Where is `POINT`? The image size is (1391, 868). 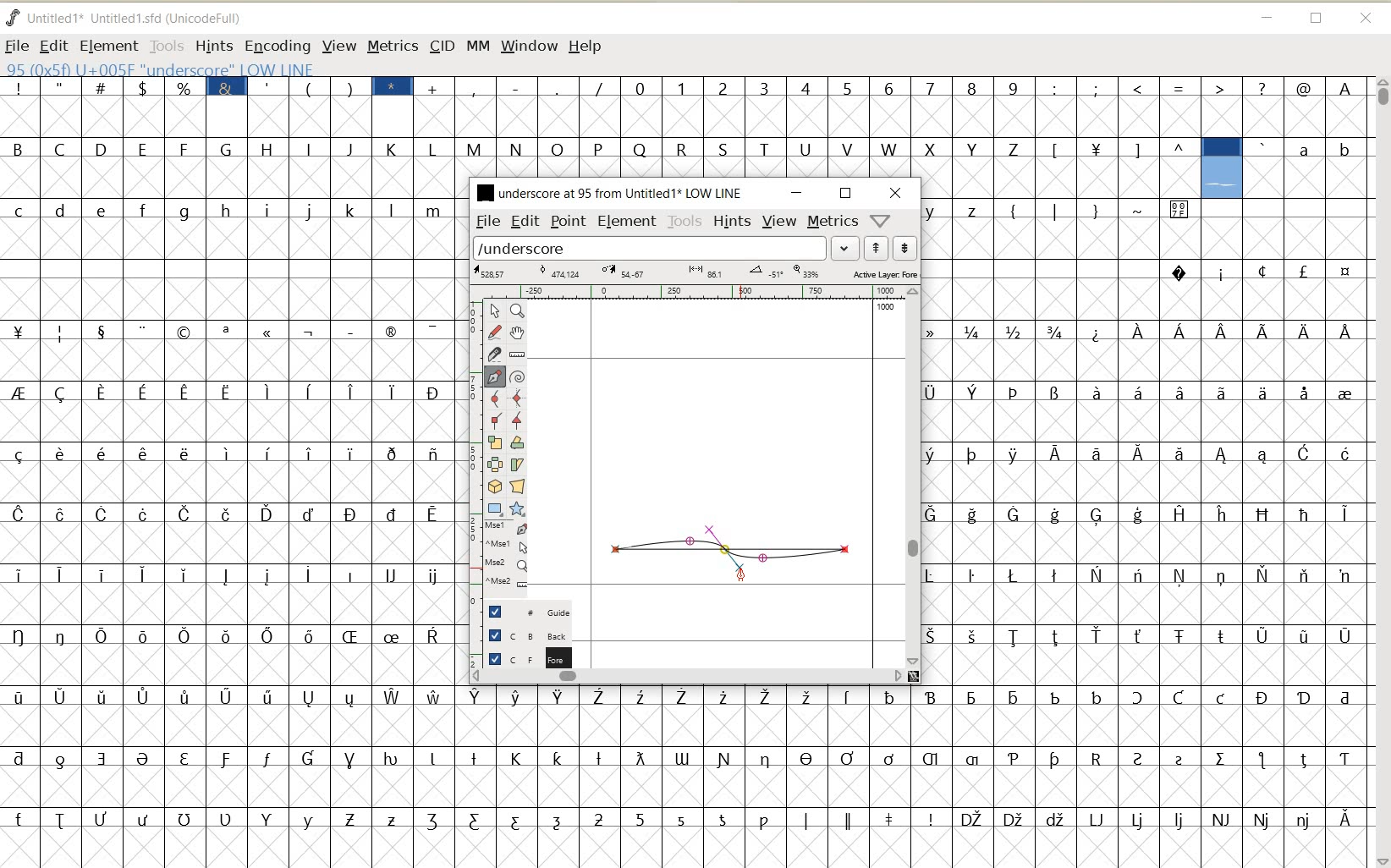
POINT is located at coordinates (569, 223).